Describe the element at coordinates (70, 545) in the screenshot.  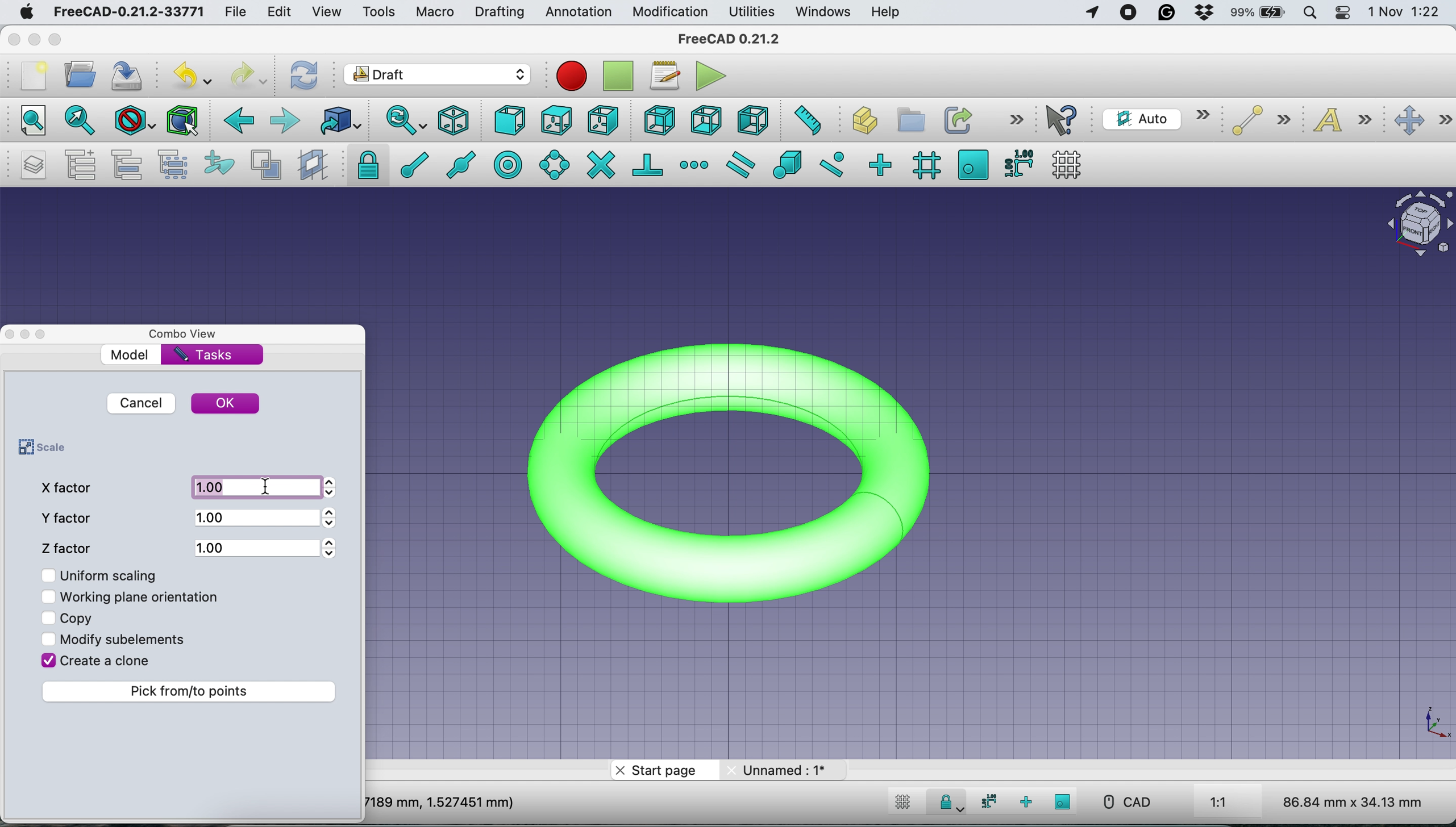
I see `z factor` at that location.